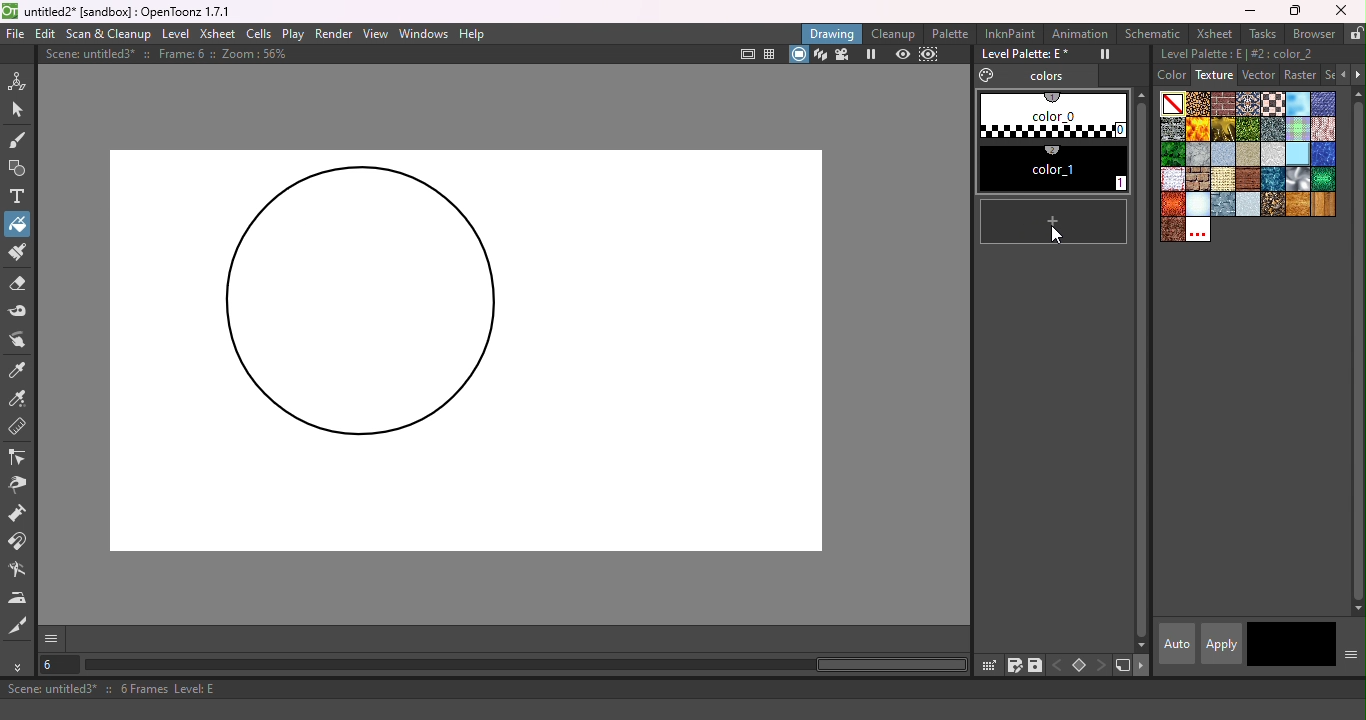  Describe the element at coordinates (1058, 663) in the screenshot. I see `previous key` at that location.